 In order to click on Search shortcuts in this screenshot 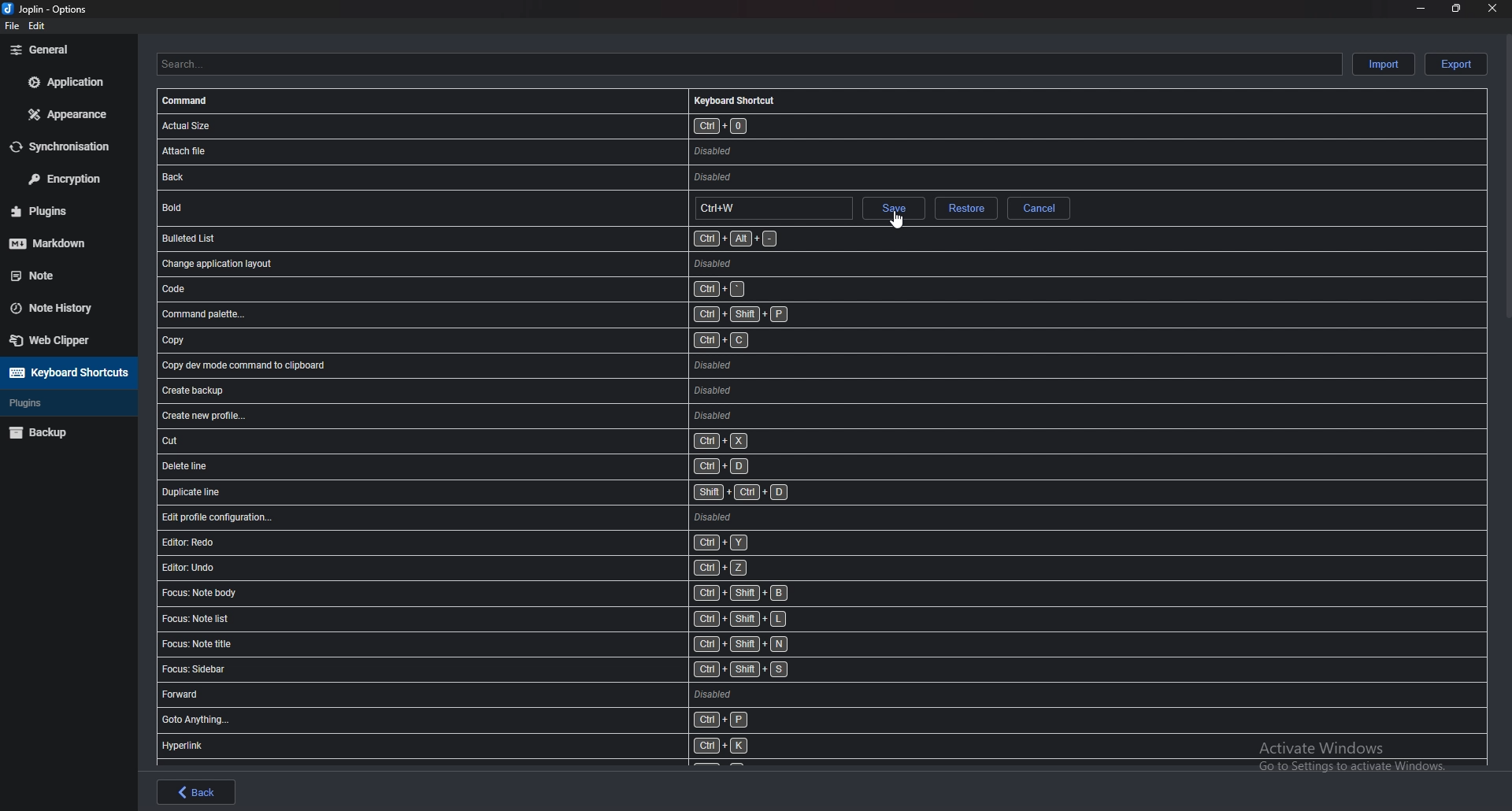, I will do `click(752, 65)`.